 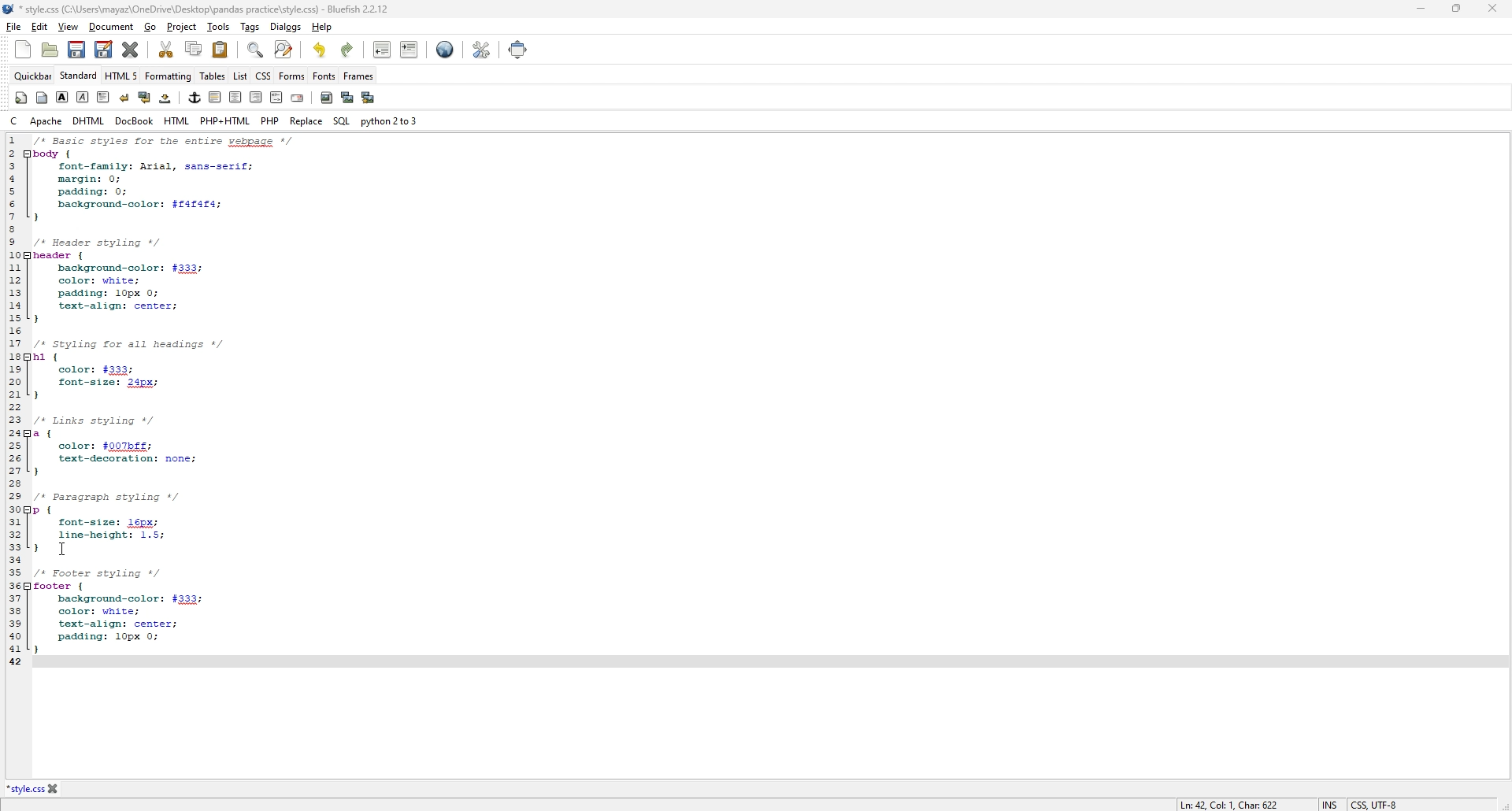 What do you see at coordinates (150, 27) in the screenshot?
I see `go` at bounding box center [150, 27].